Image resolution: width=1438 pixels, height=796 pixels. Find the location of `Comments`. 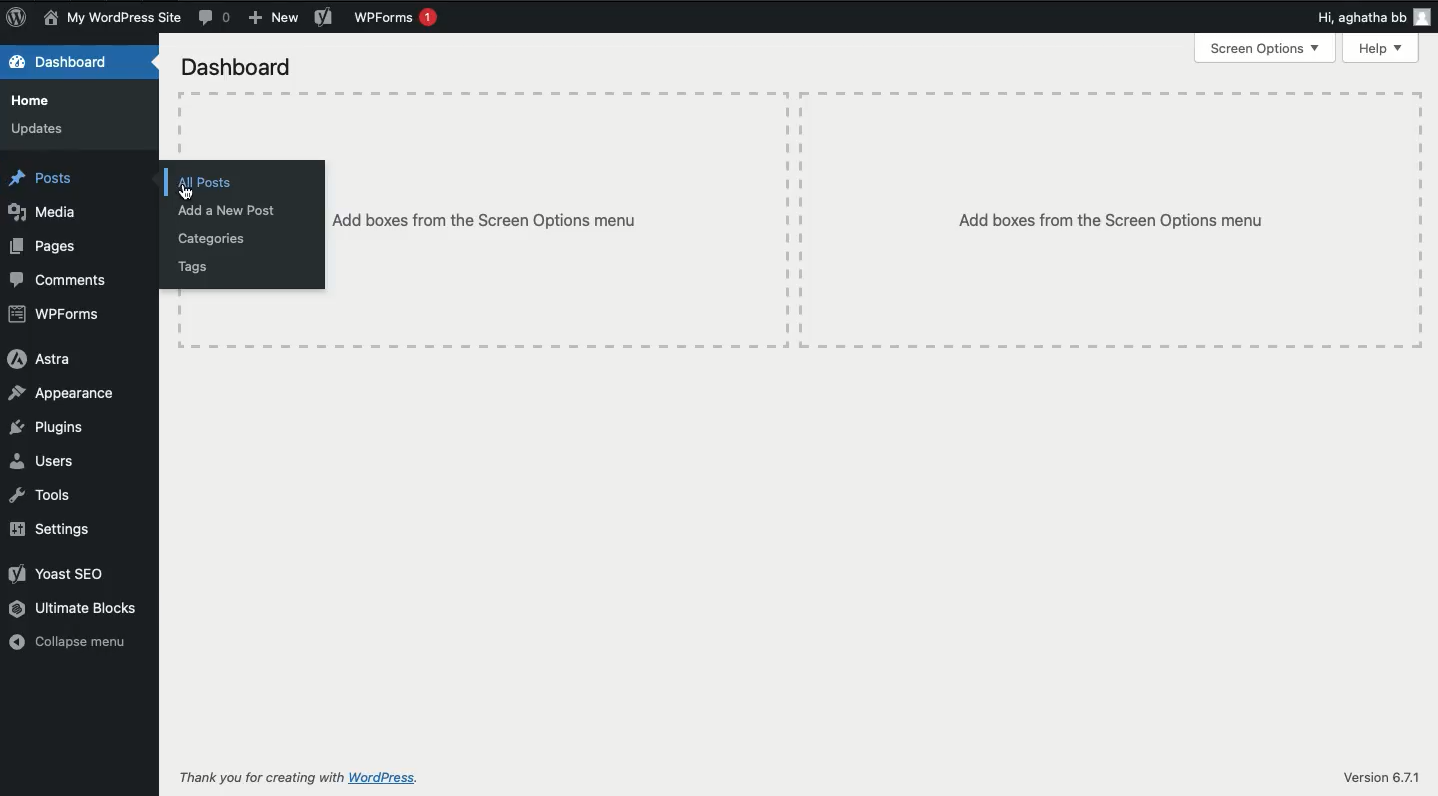

Comments is located at coordinates (62, 280).